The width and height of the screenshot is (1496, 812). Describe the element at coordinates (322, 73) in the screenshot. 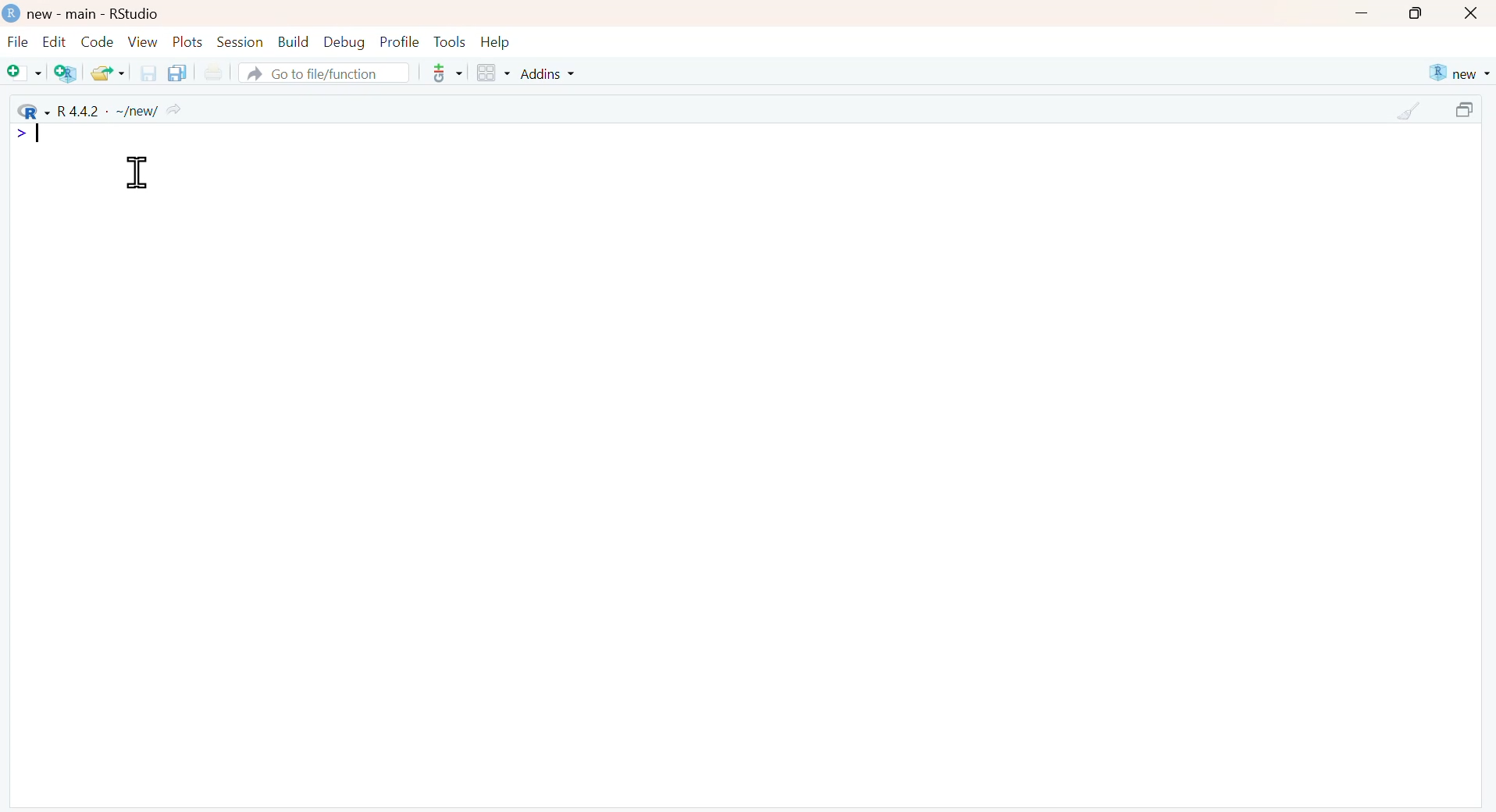

I see `Go to file/function` at that location.